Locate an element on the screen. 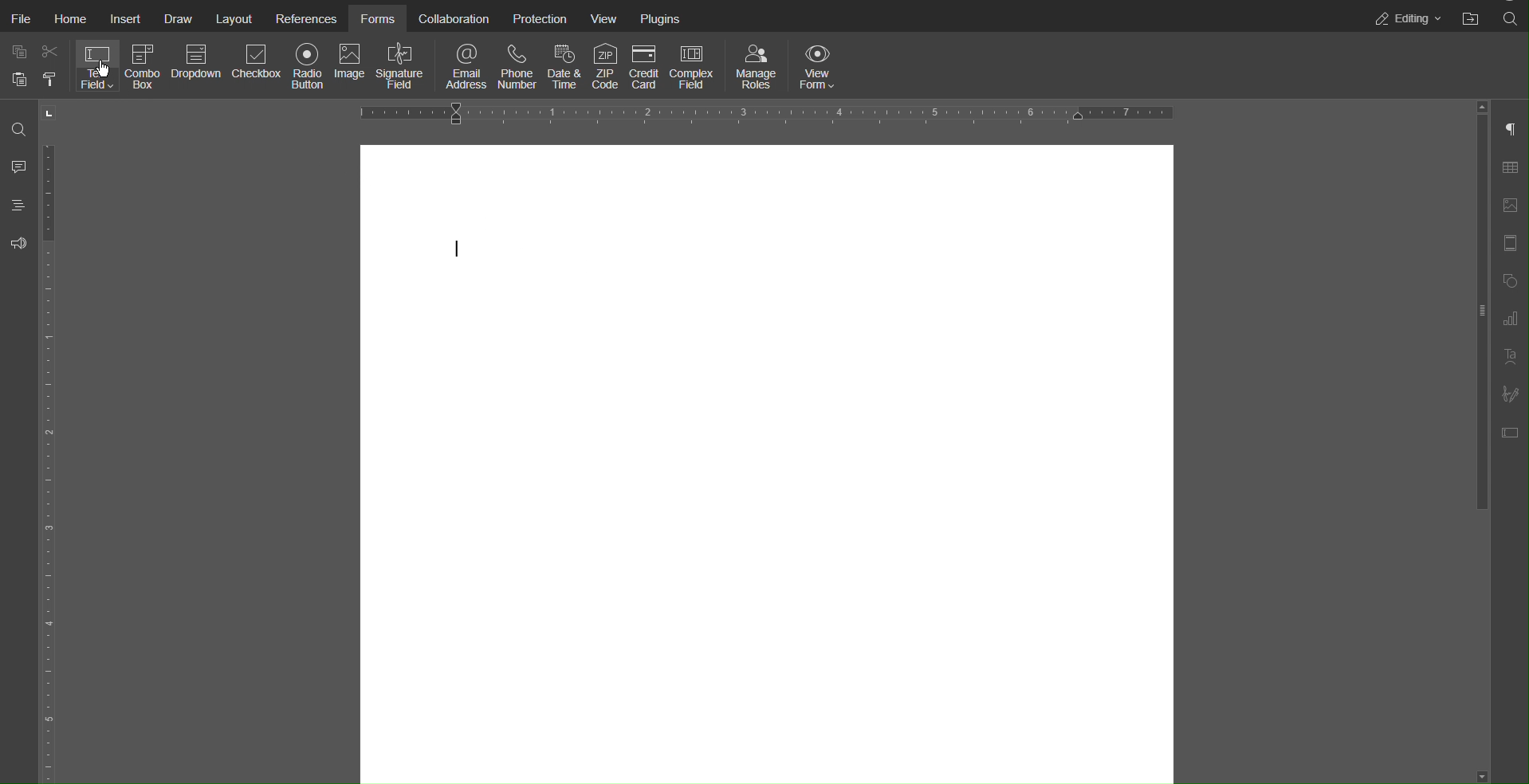 The width and height of the screenshot is (1529, 784). Protection is located at coordinates (538, 20).